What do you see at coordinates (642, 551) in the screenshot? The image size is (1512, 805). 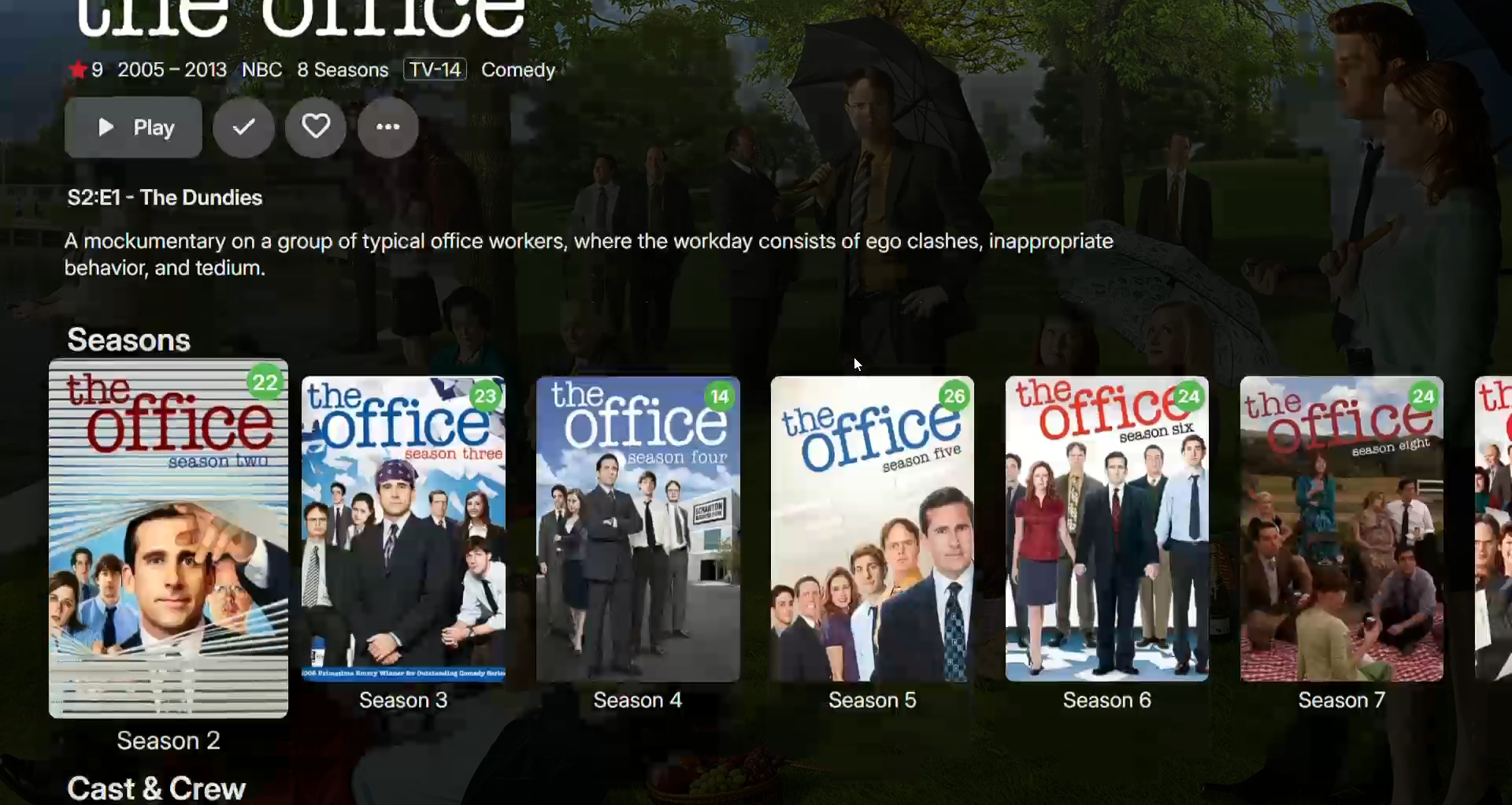 I see `Season 4` at bounding box center [642, 551].